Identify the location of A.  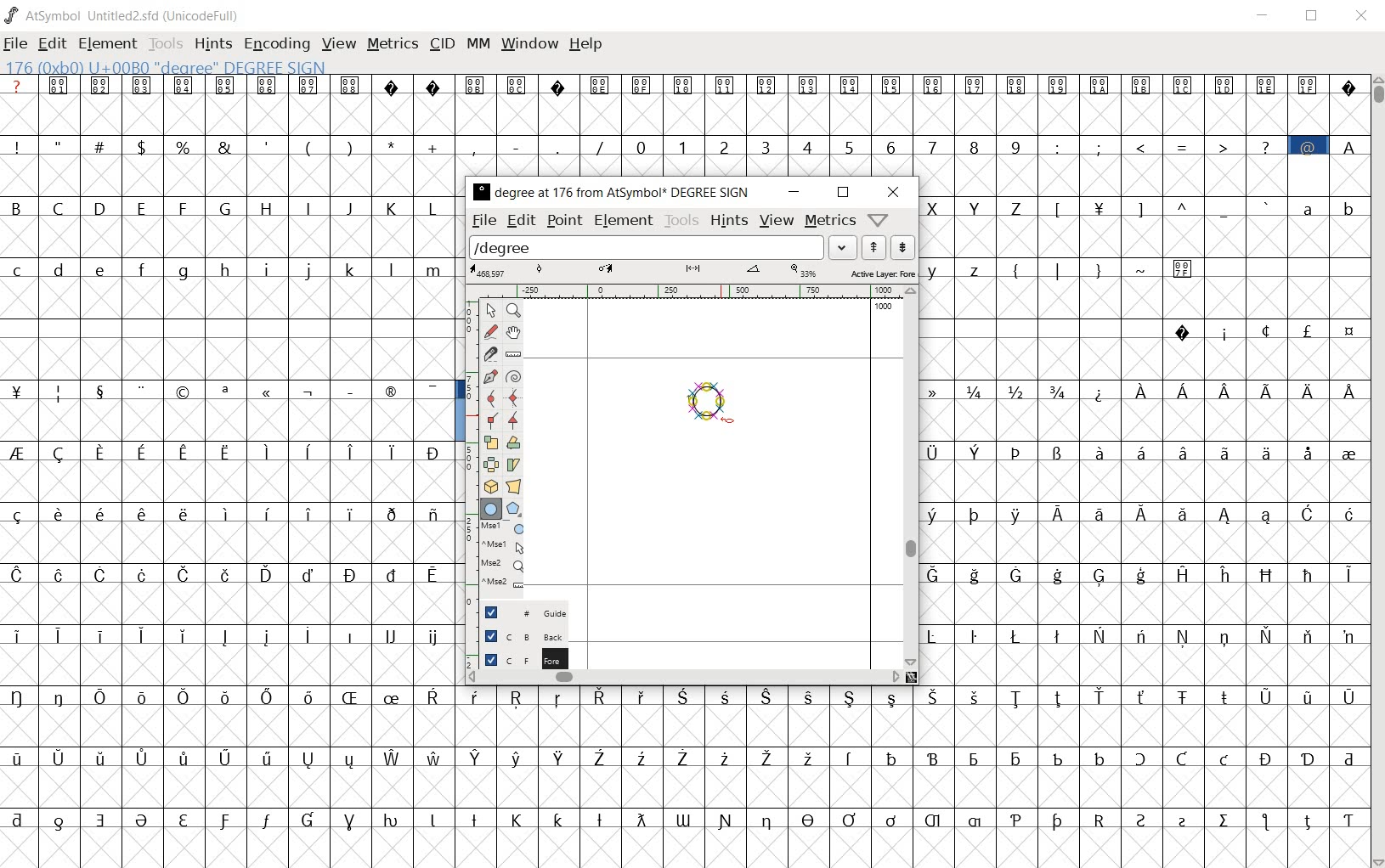
(1348, 144).